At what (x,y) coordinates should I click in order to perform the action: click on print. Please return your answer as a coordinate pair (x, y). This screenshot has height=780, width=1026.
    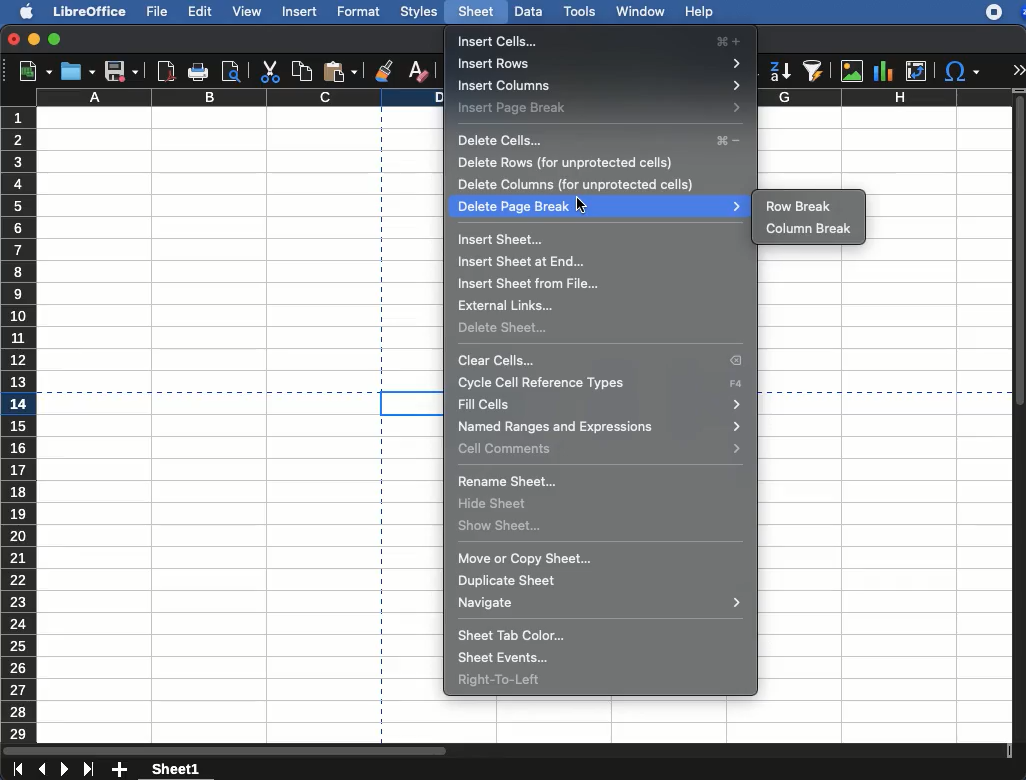
    Looking at the image, I should click on (199, 73).